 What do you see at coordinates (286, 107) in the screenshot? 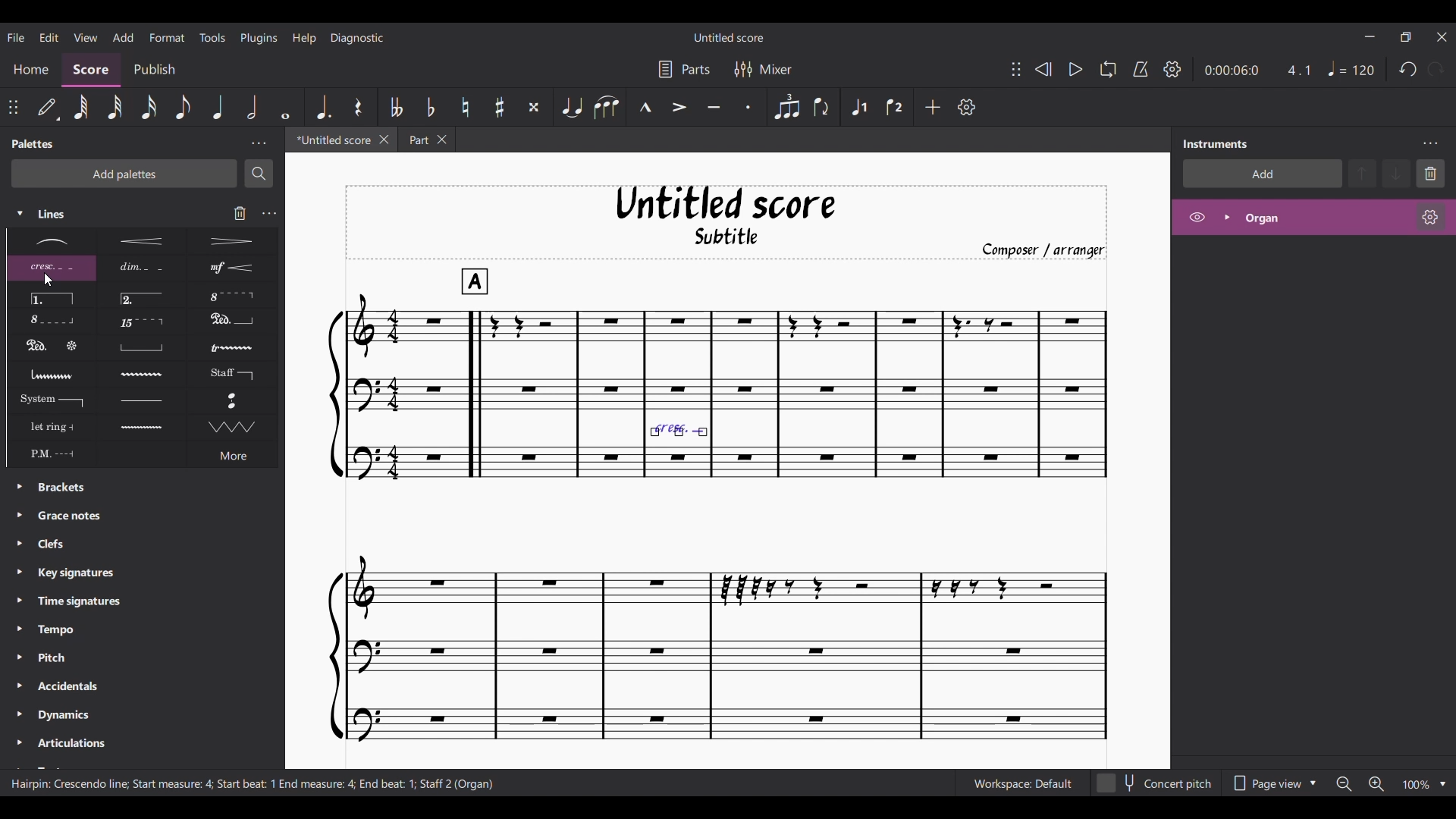
I see `Whole note` at bounding box center [286, 107].